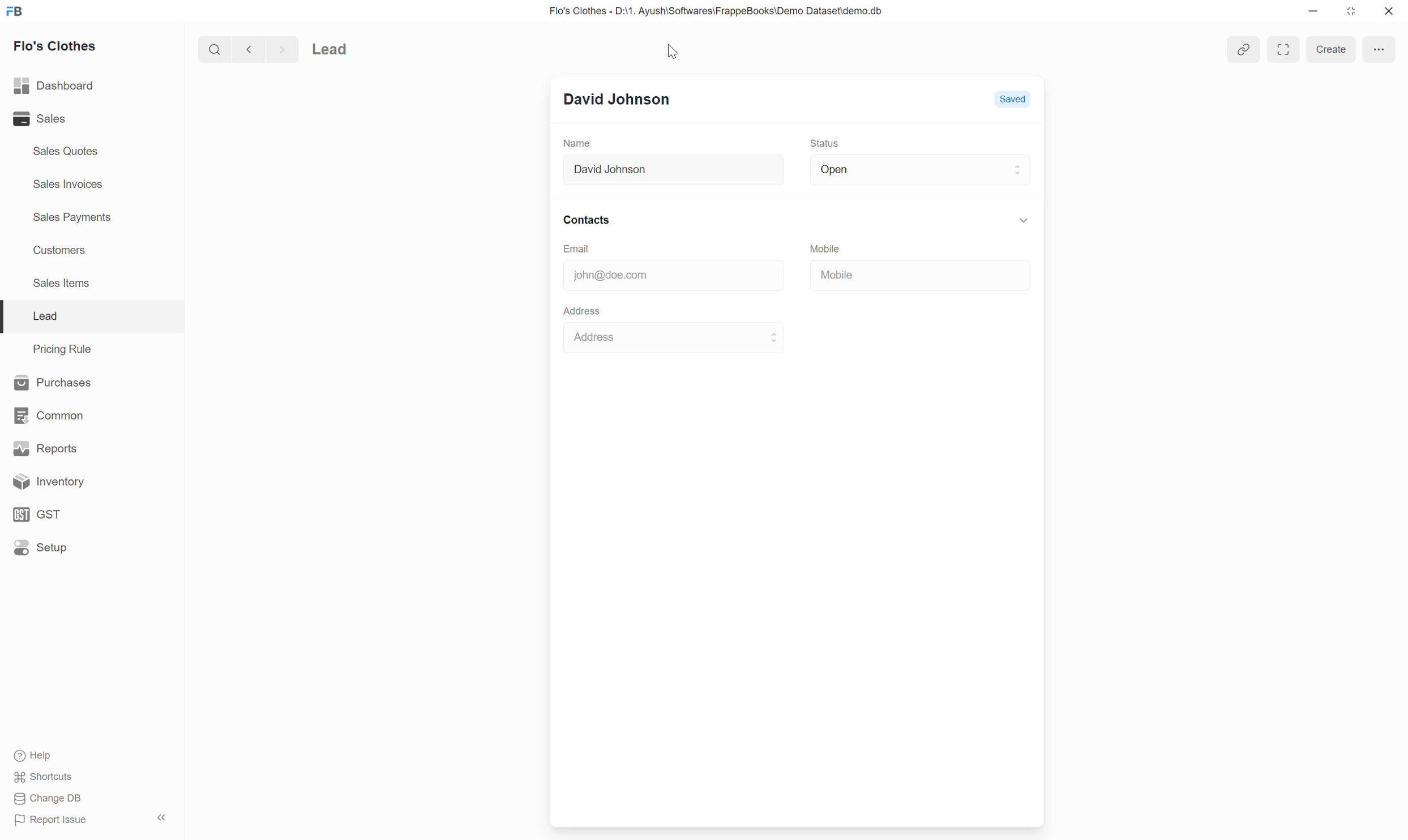 Image resolution: width=1408 pixels, height=840 pixels. Describe the element at coordinates (666, 171) in the screenshot. I see `David Johnson` at that location.